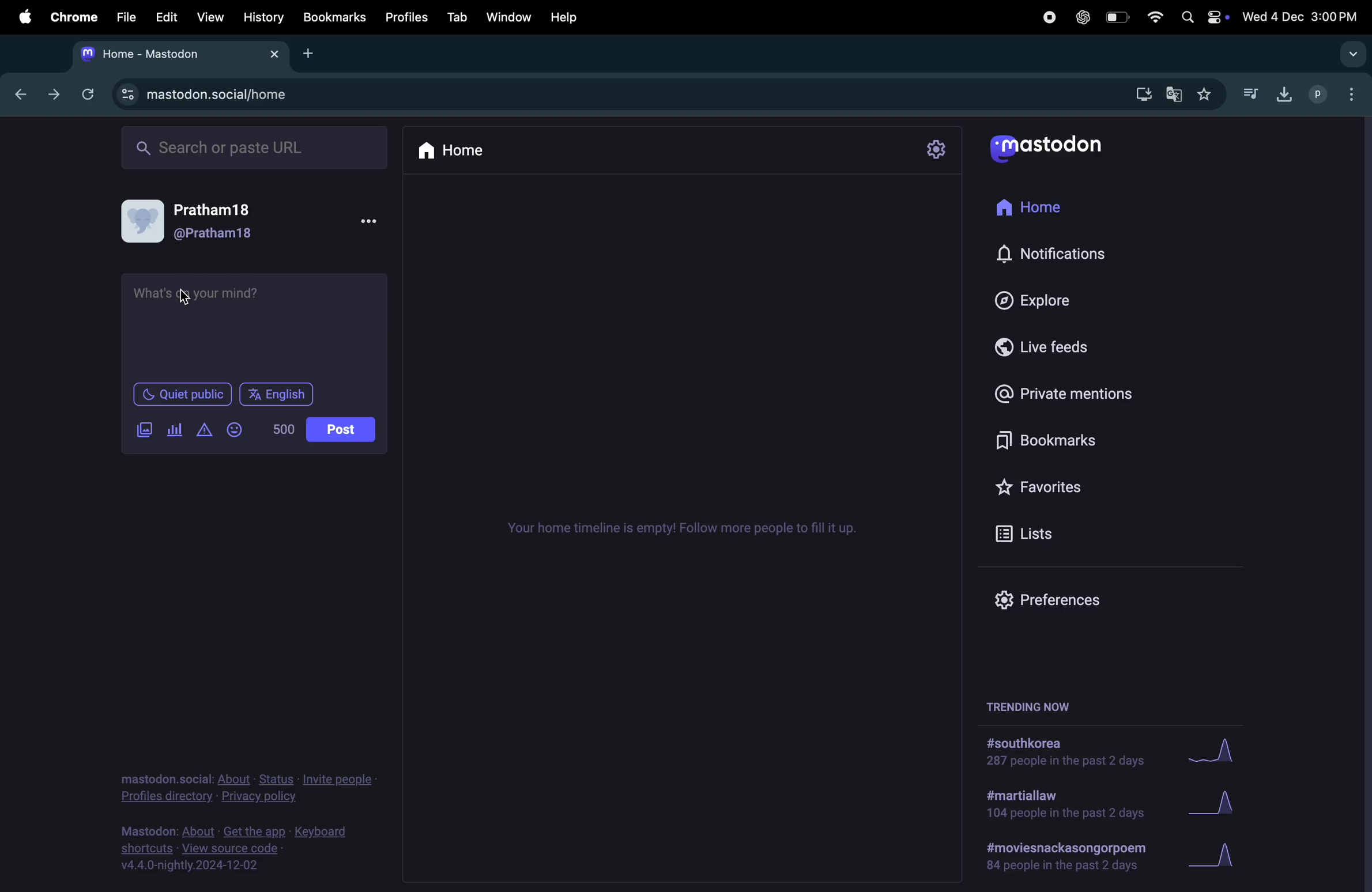 This screenshot has width=1372, height=892. What do you see at coordinates (1349, 54) in the screenshot?
I see `drop down` at bounding box center [1349, 54].